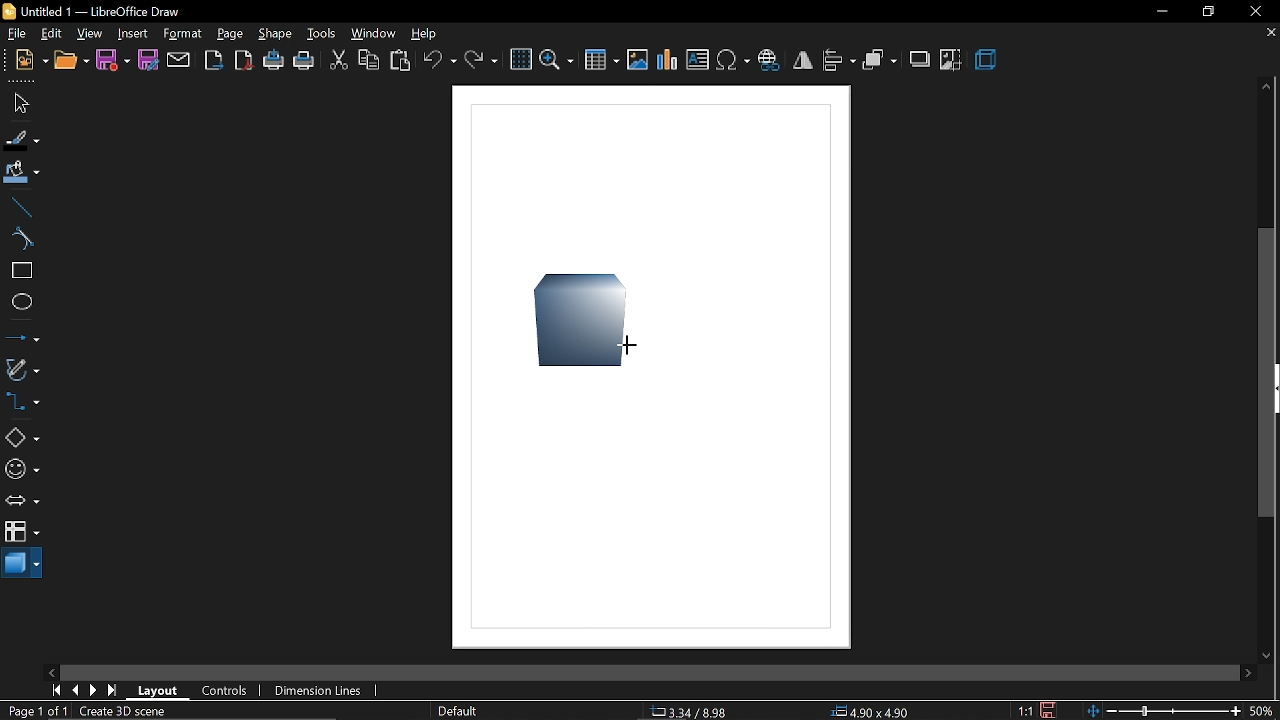 Image resolution: width=1280 pixels, height=720 pixels. What do you see at coordinates (72, 691) in the screenshot?
I see `previous page` at bounding box center [72, 691].